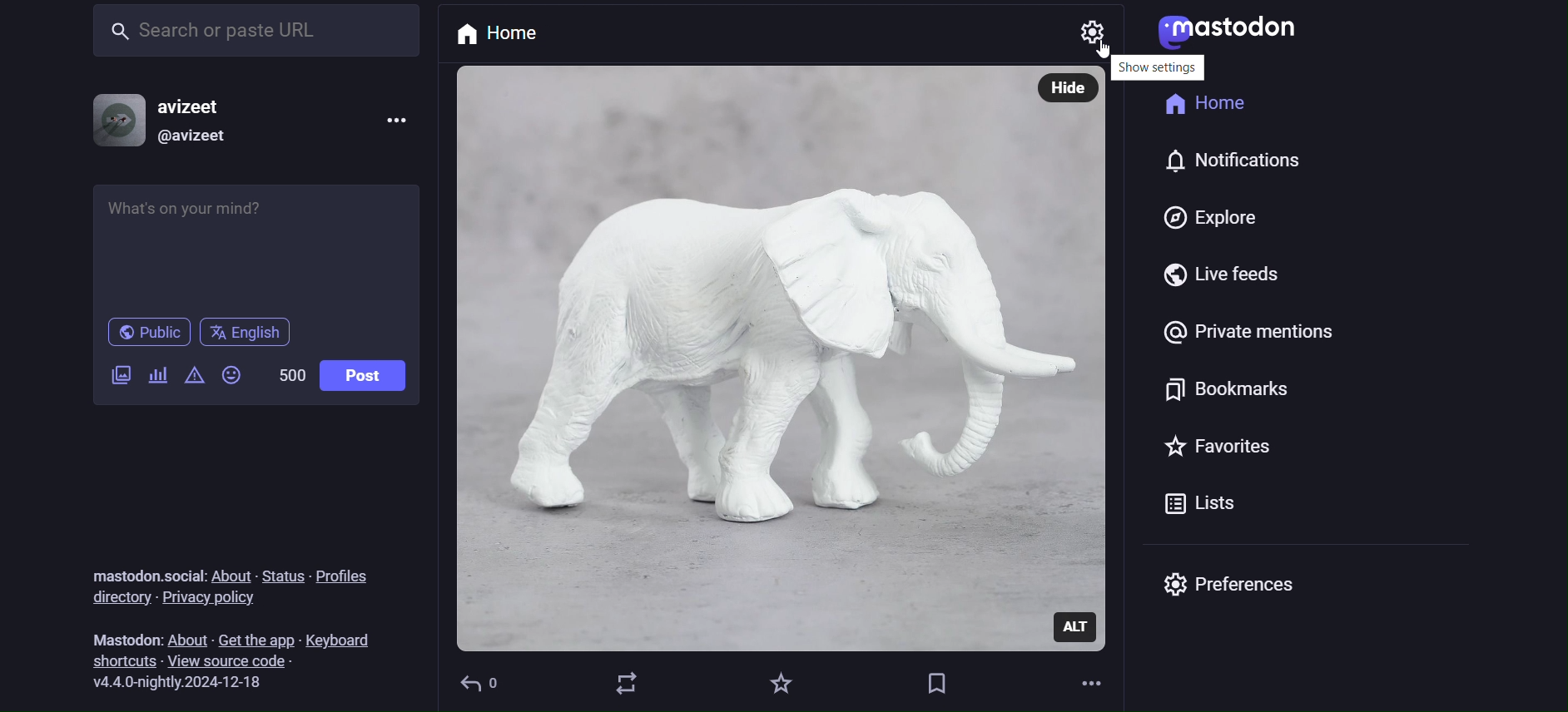 This screenshot has height=712, width=1568. I want to click on Post Picture, so click(742, 360).